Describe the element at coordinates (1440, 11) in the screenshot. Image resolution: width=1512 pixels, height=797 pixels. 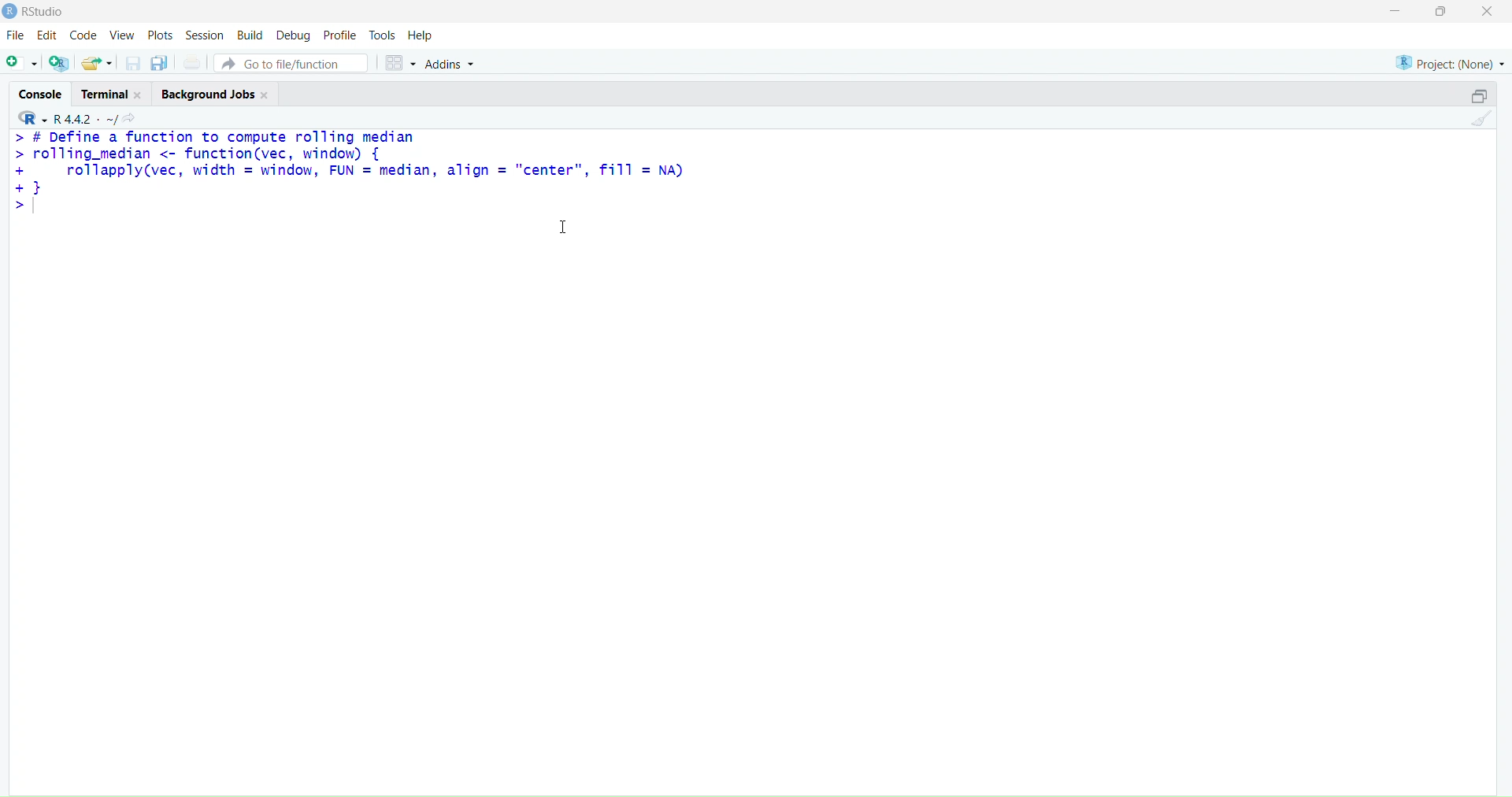
I see `maximise` at that location.